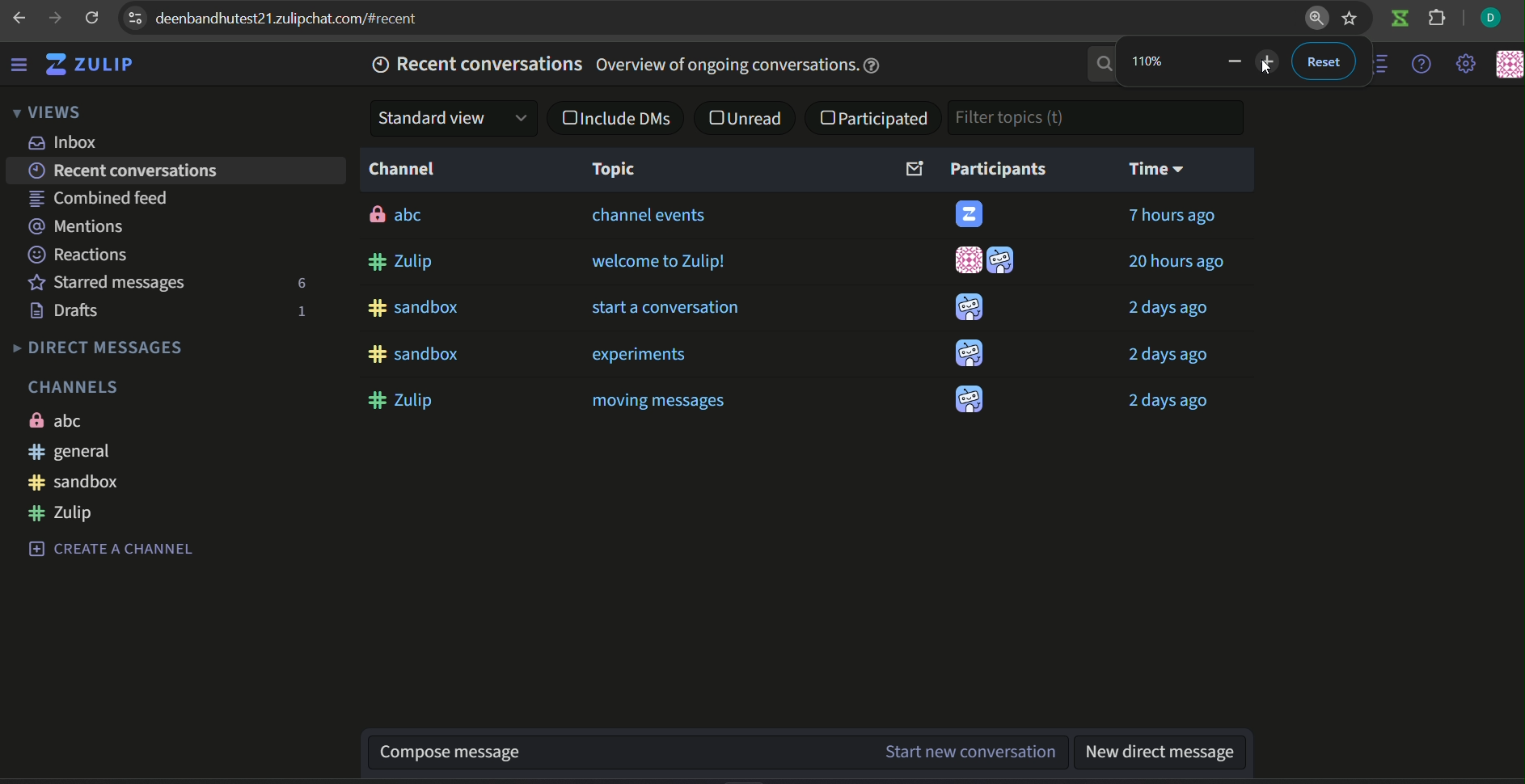 This screenshot has height=784, width=1525. I want to click on icon, so click(965, 260).